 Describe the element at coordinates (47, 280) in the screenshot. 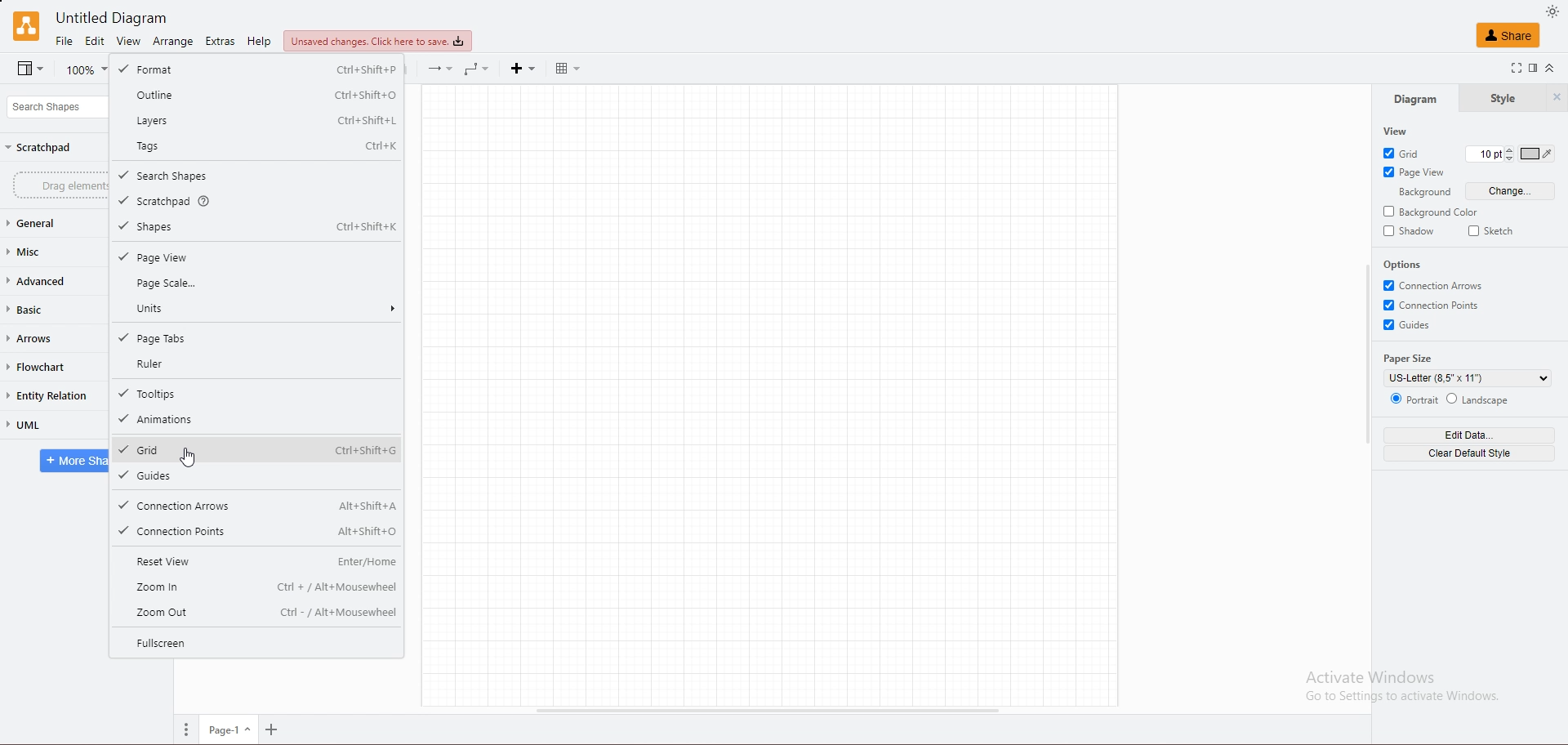

I see `advanced` at that location.